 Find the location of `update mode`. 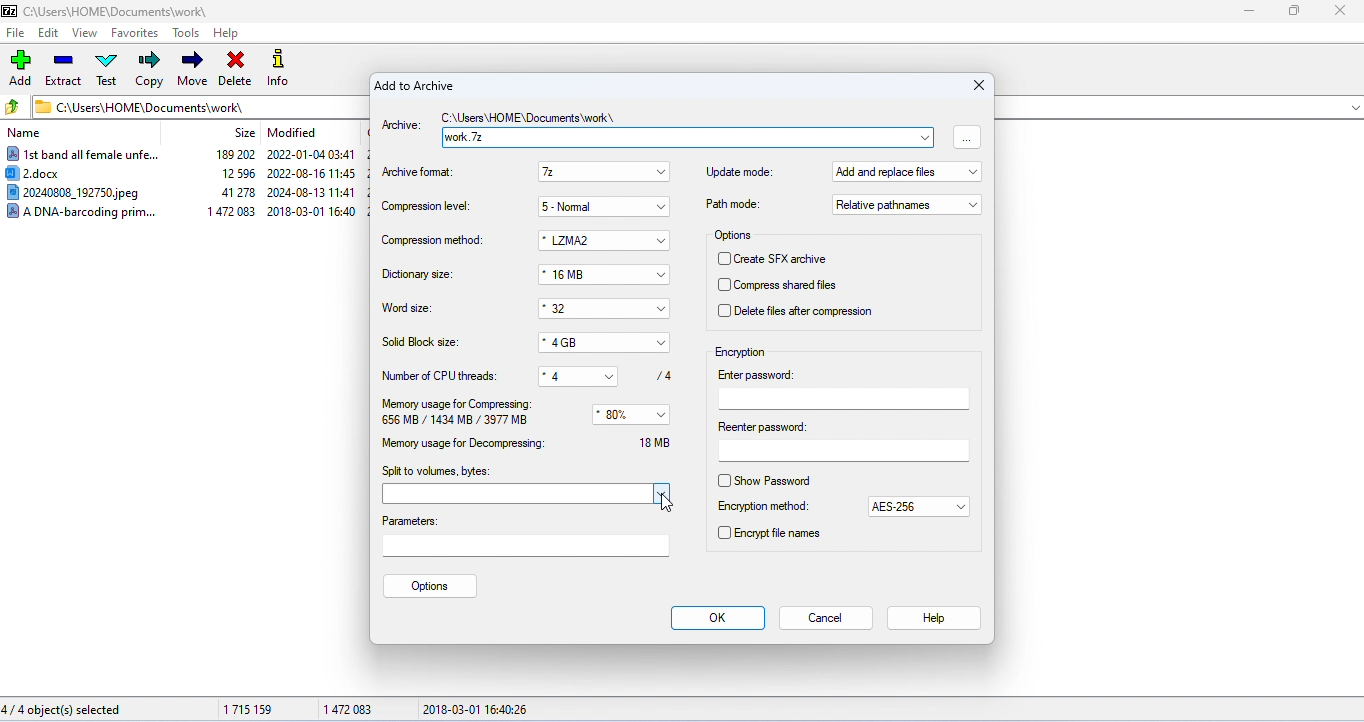

update mode is located at coordinates (740, 171).